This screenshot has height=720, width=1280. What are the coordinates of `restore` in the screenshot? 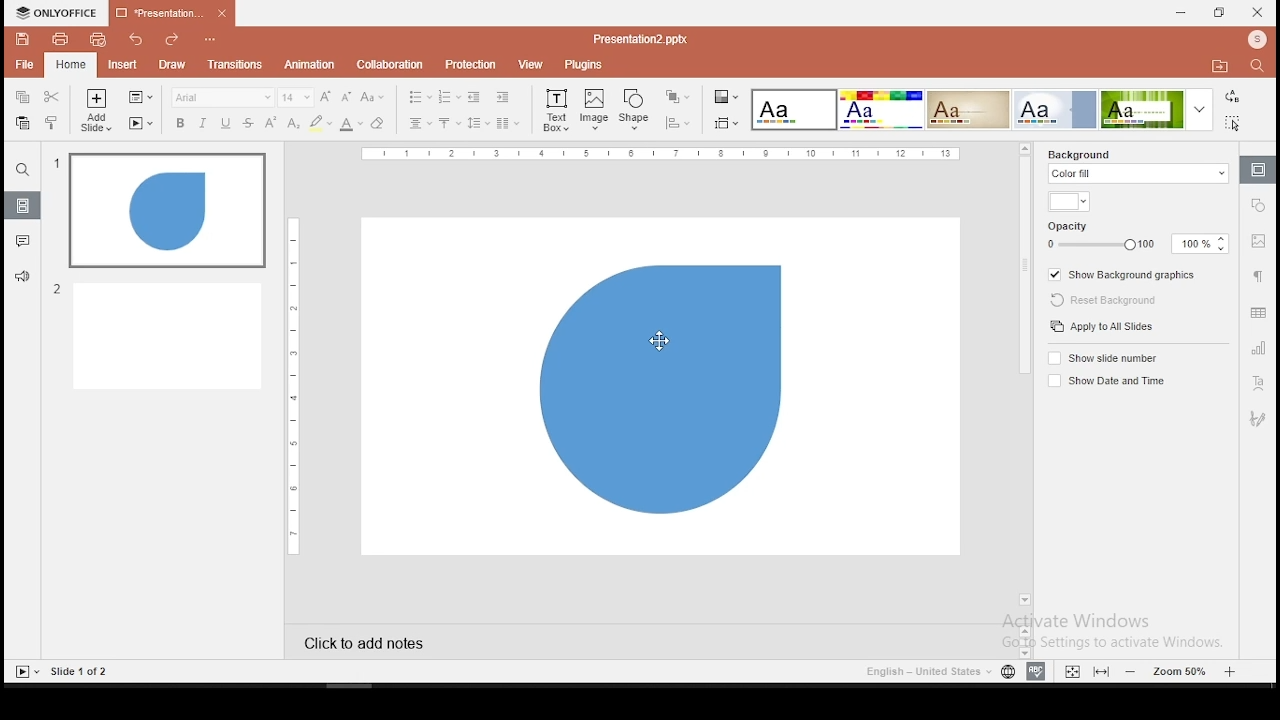 It's located at (1218, 14).